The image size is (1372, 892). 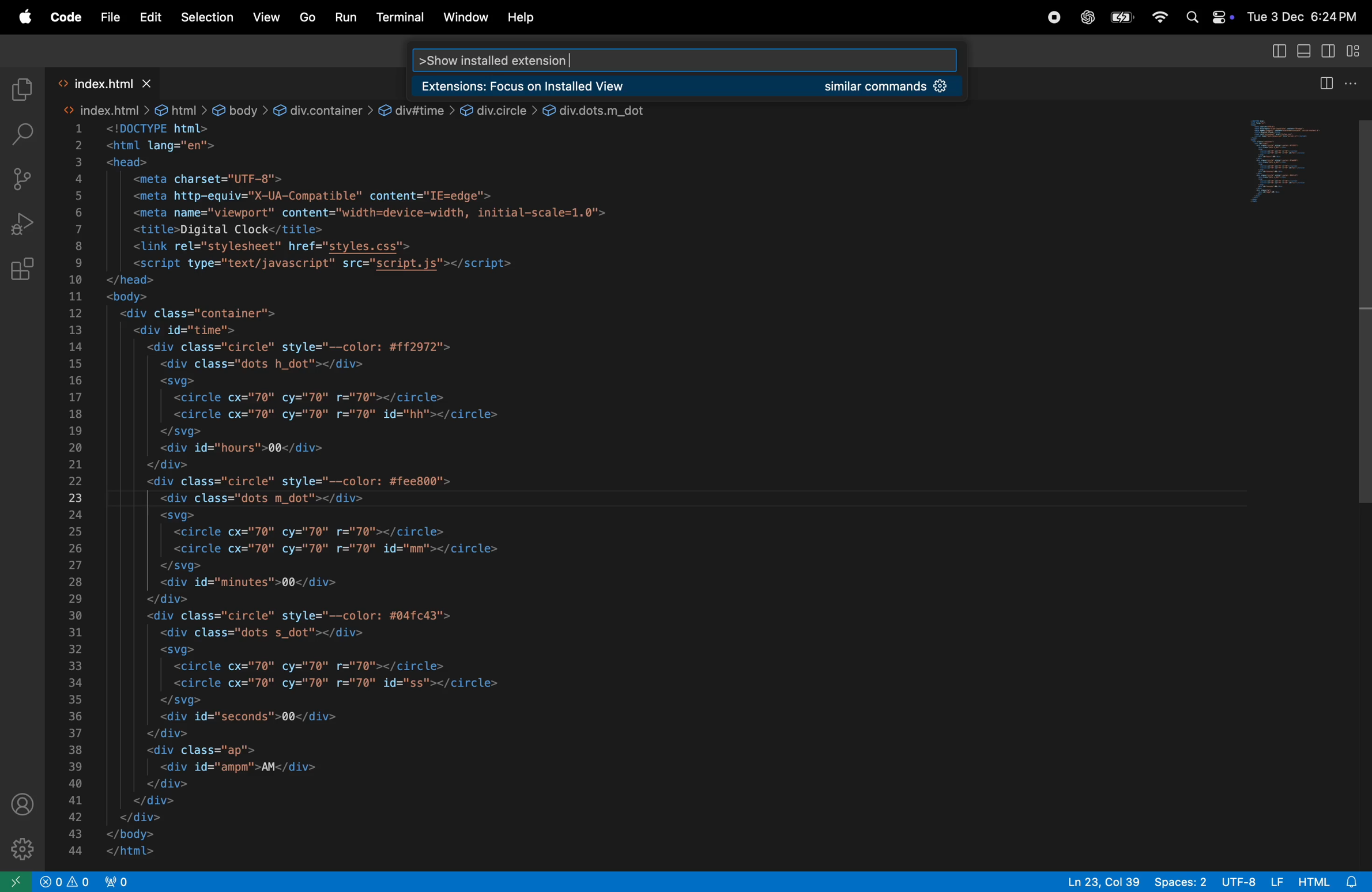 What do you see at coordinates (206, 18) in the screenshot?
I see `selection` at bounding box center [206, 18].